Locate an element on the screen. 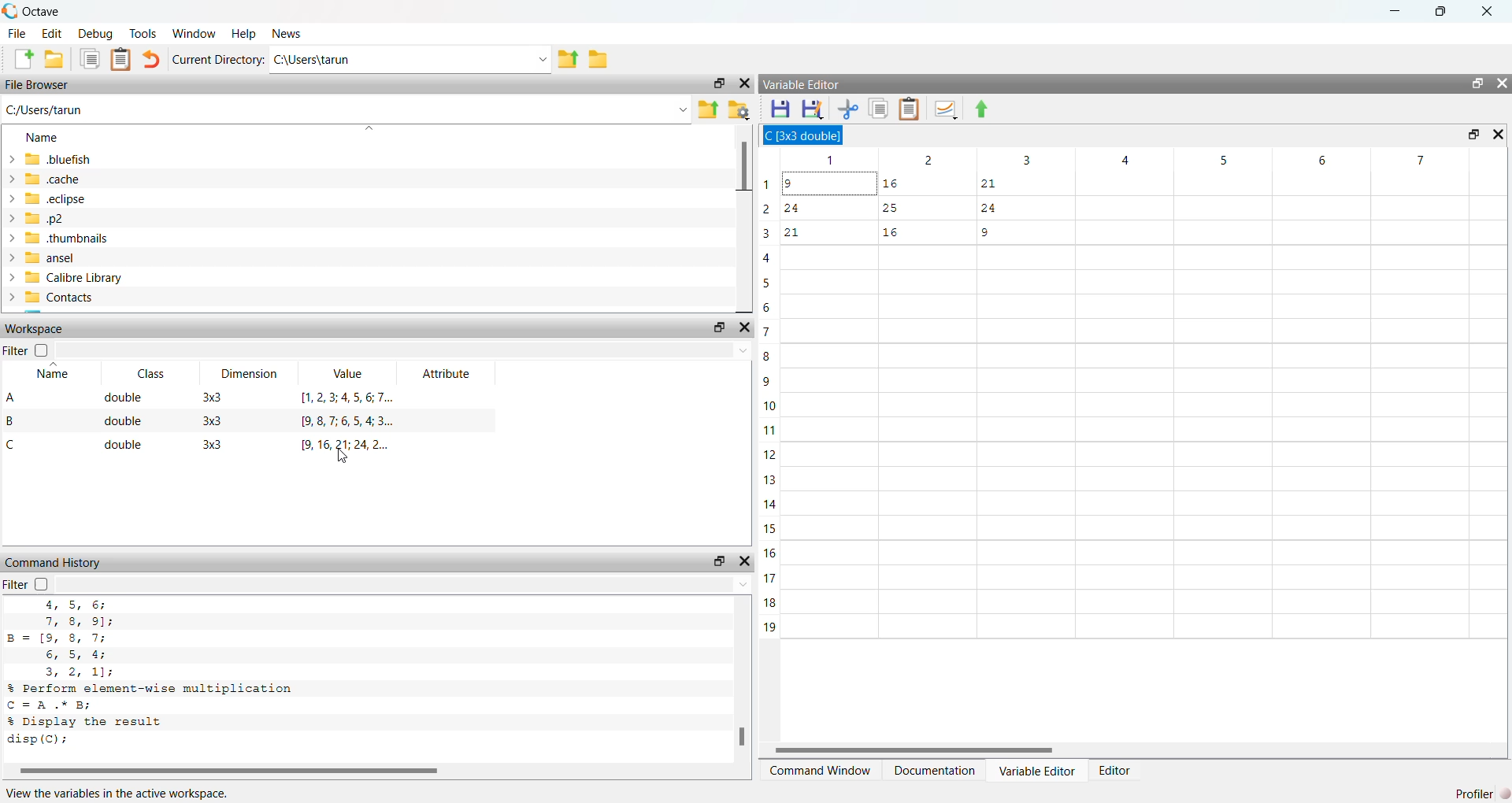 The image size is (1512, 803). Close is located at coordinates (1501, 82).